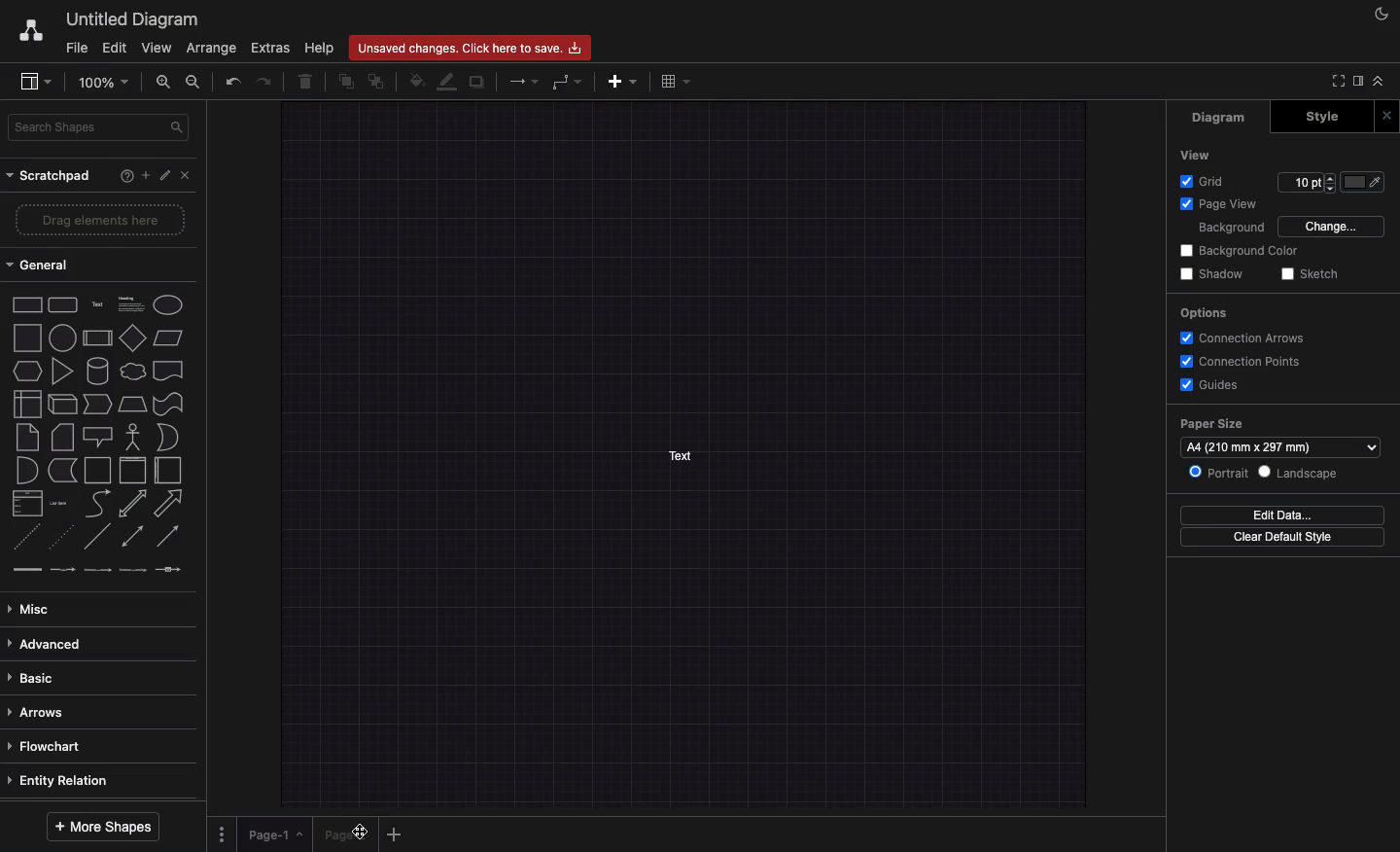 Image resolution: width=1400 pixels, height=852 pixels. Describe the element at coordinates (1286, 538) in the screenshot. I see `Clear default style` at that location.